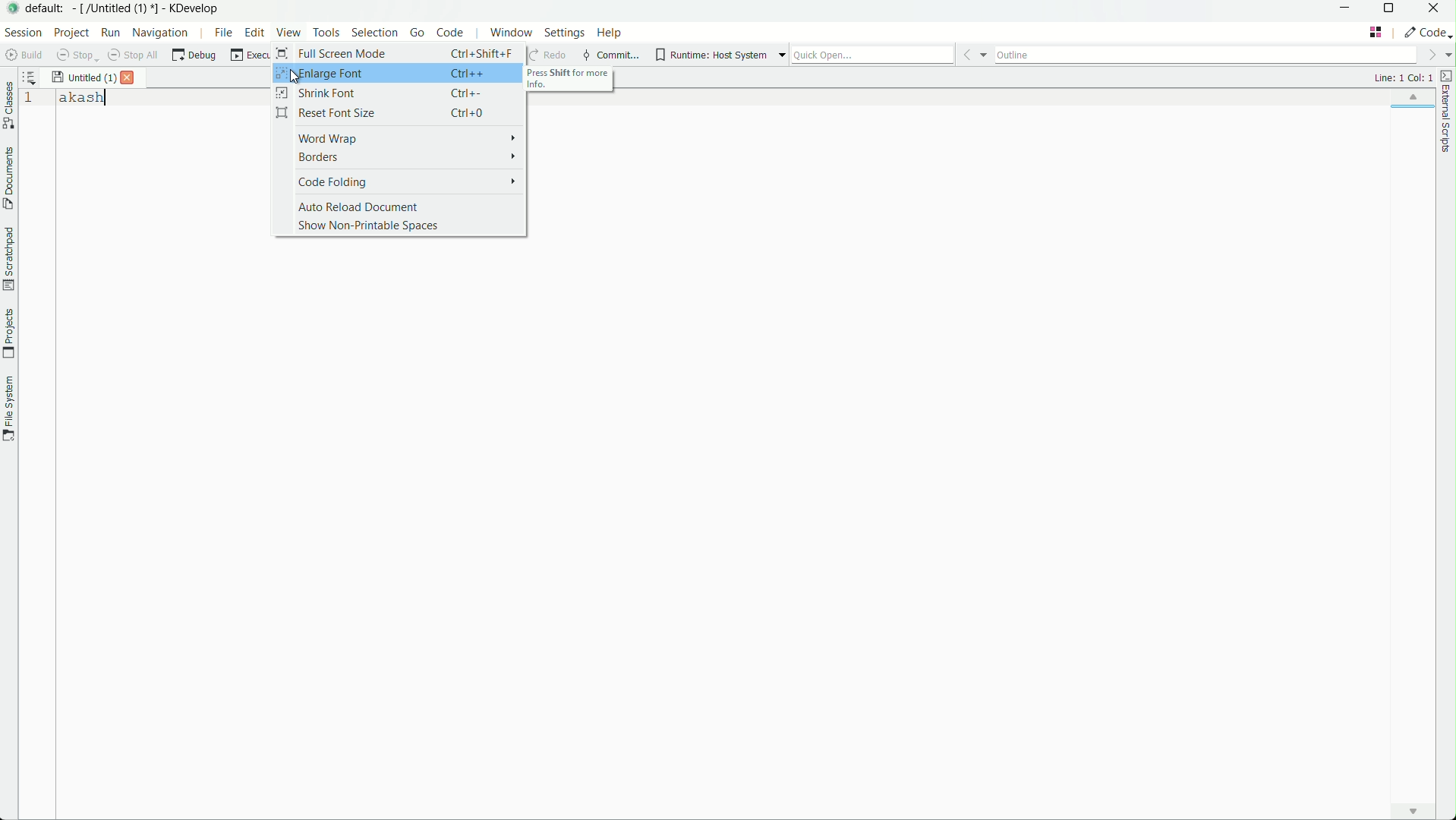  What do you see at coordinates (46, 9) in the screenshot?
I see `default` at bounding box center [46, 9].